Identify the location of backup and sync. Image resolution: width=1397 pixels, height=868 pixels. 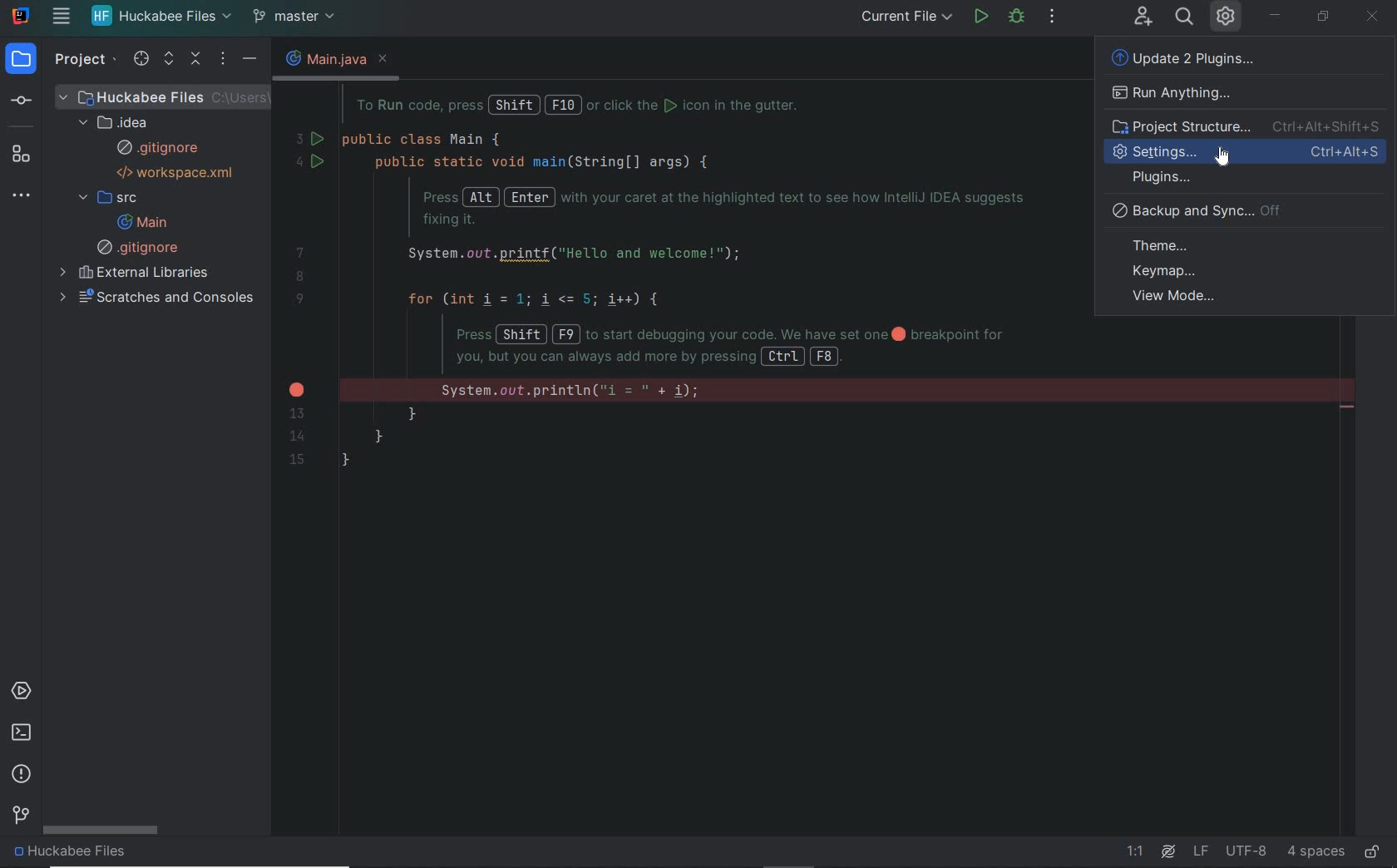
(1245, 211).